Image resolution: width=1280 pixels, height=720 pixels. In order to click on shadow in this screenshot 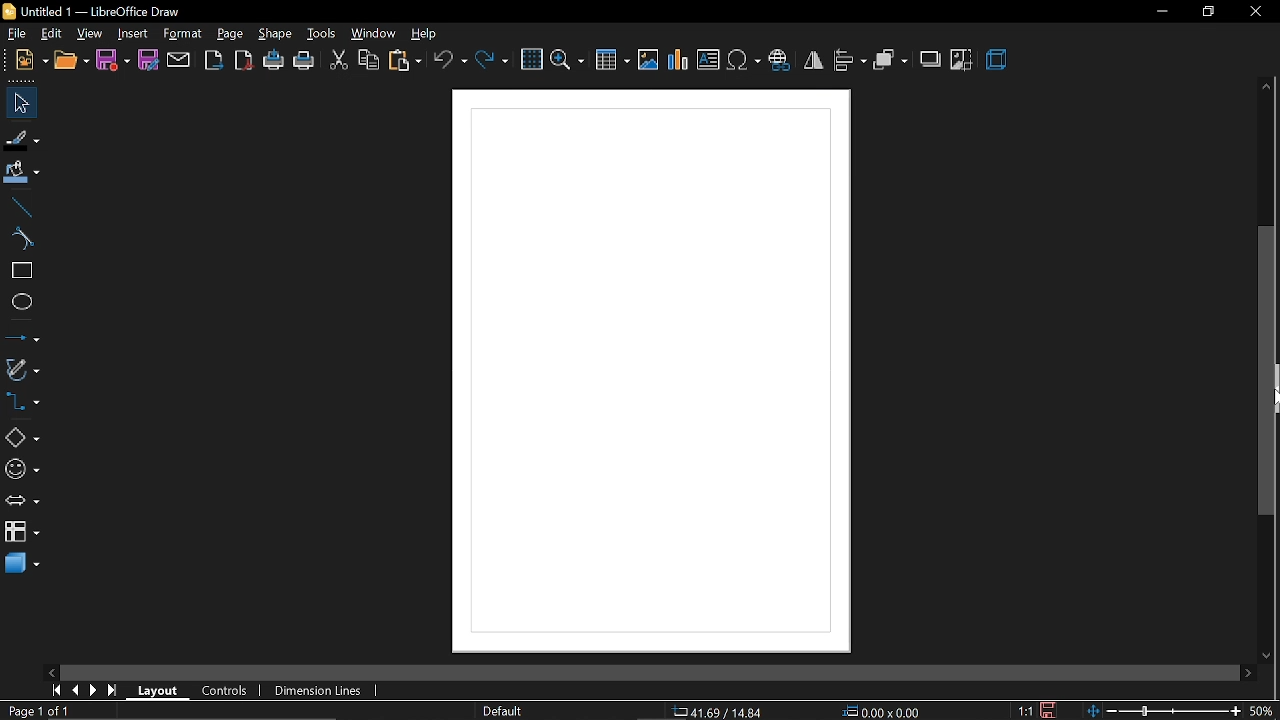, I will do `click(929, 58)`.